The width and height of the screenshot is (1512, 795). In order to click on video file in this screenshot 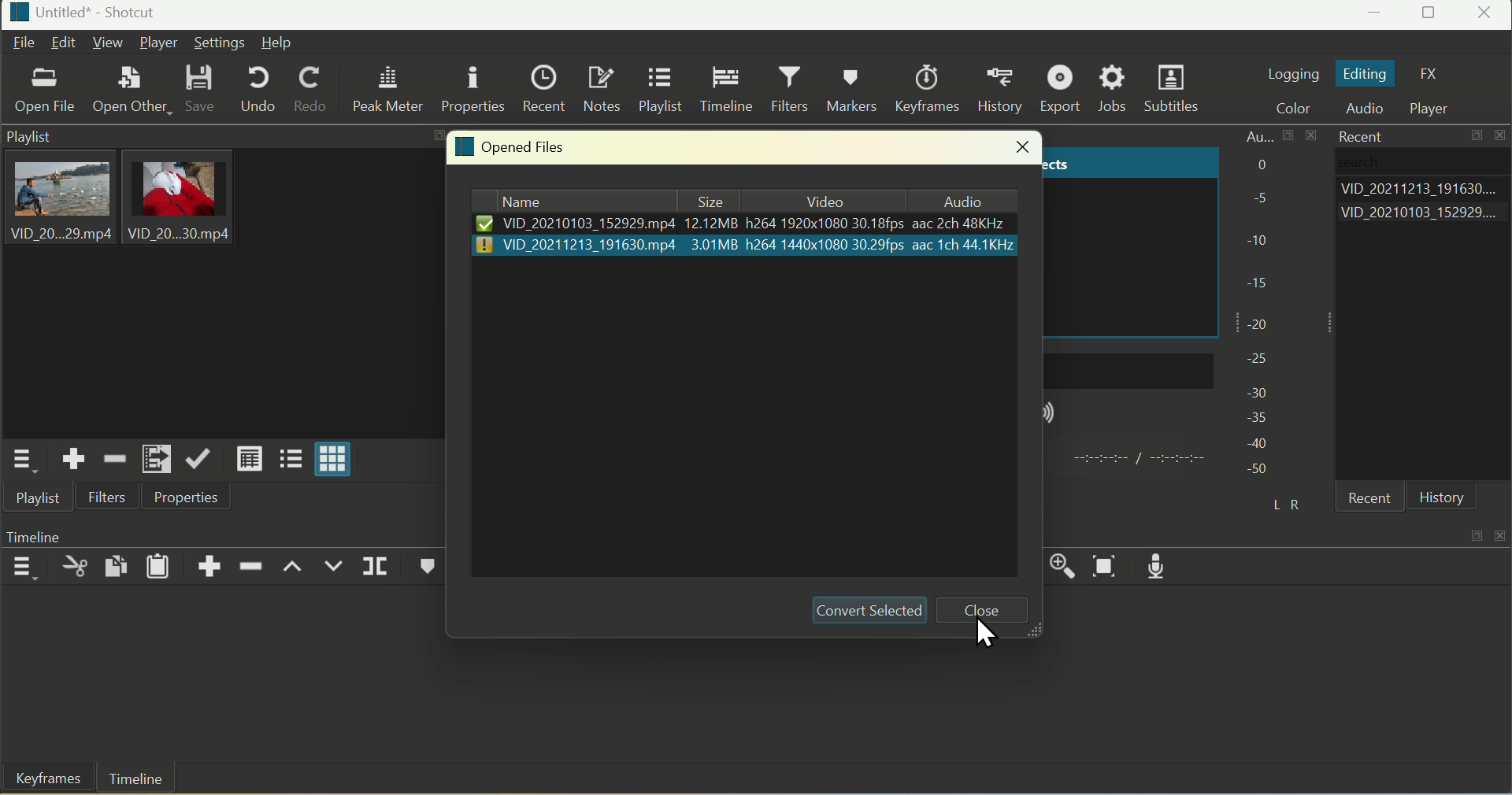, I will do `click(744, 224)`.